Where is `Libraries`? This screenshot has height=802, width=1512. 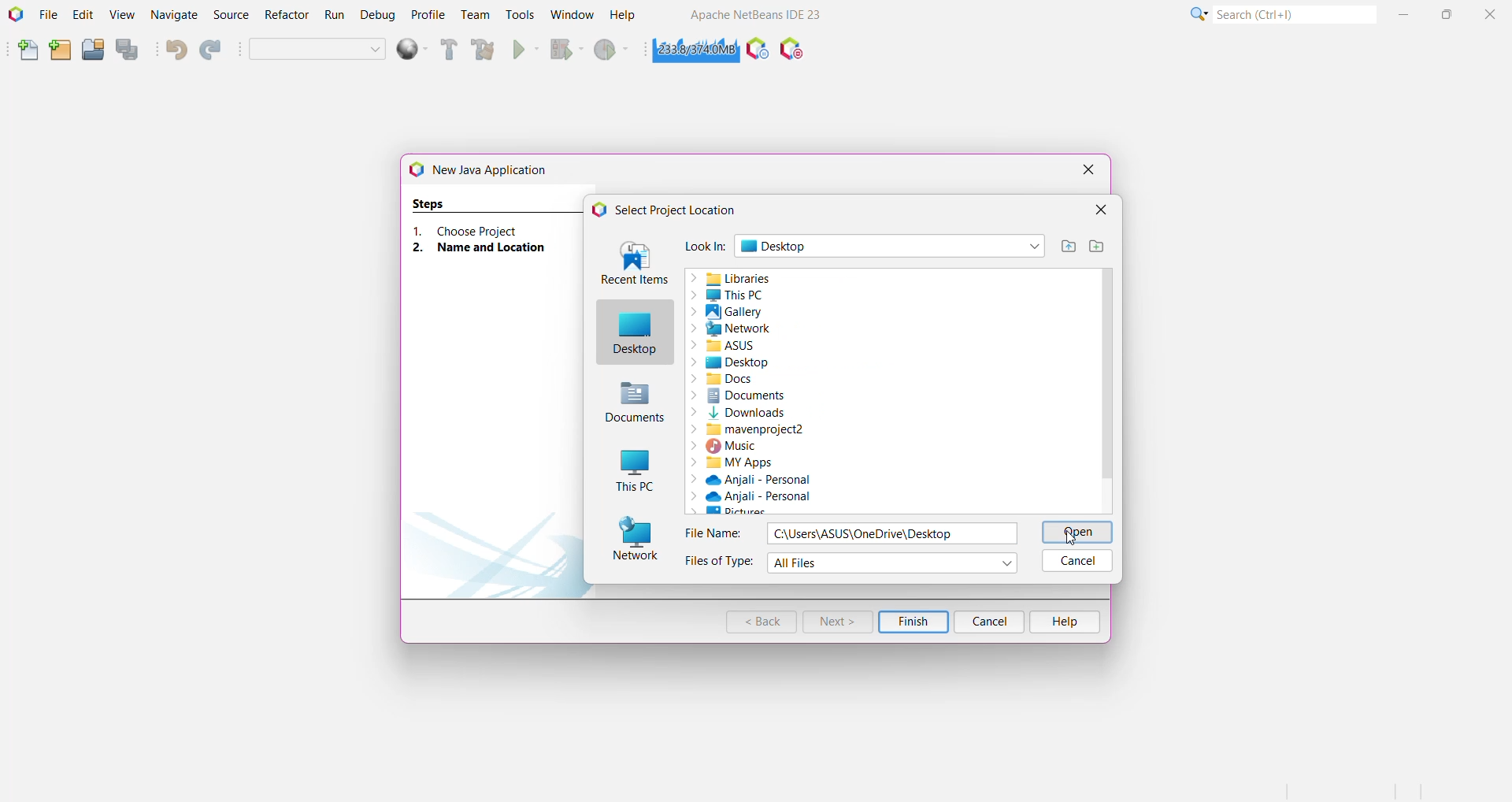 Libraries is located at coordinates (888, 280).